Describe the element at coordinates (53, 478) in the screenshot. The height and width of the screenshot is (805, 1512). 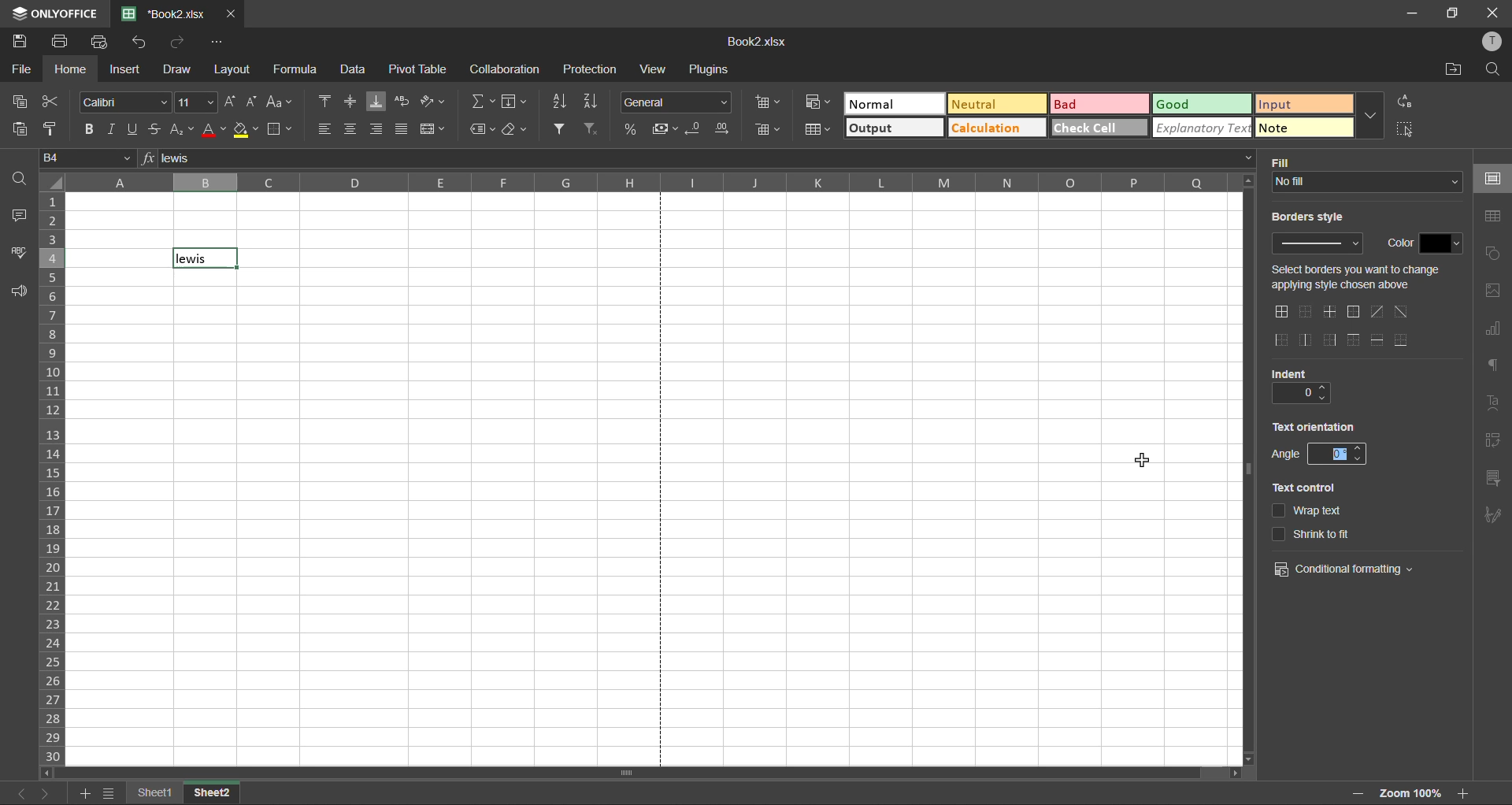
I see `row numbers` at that location.